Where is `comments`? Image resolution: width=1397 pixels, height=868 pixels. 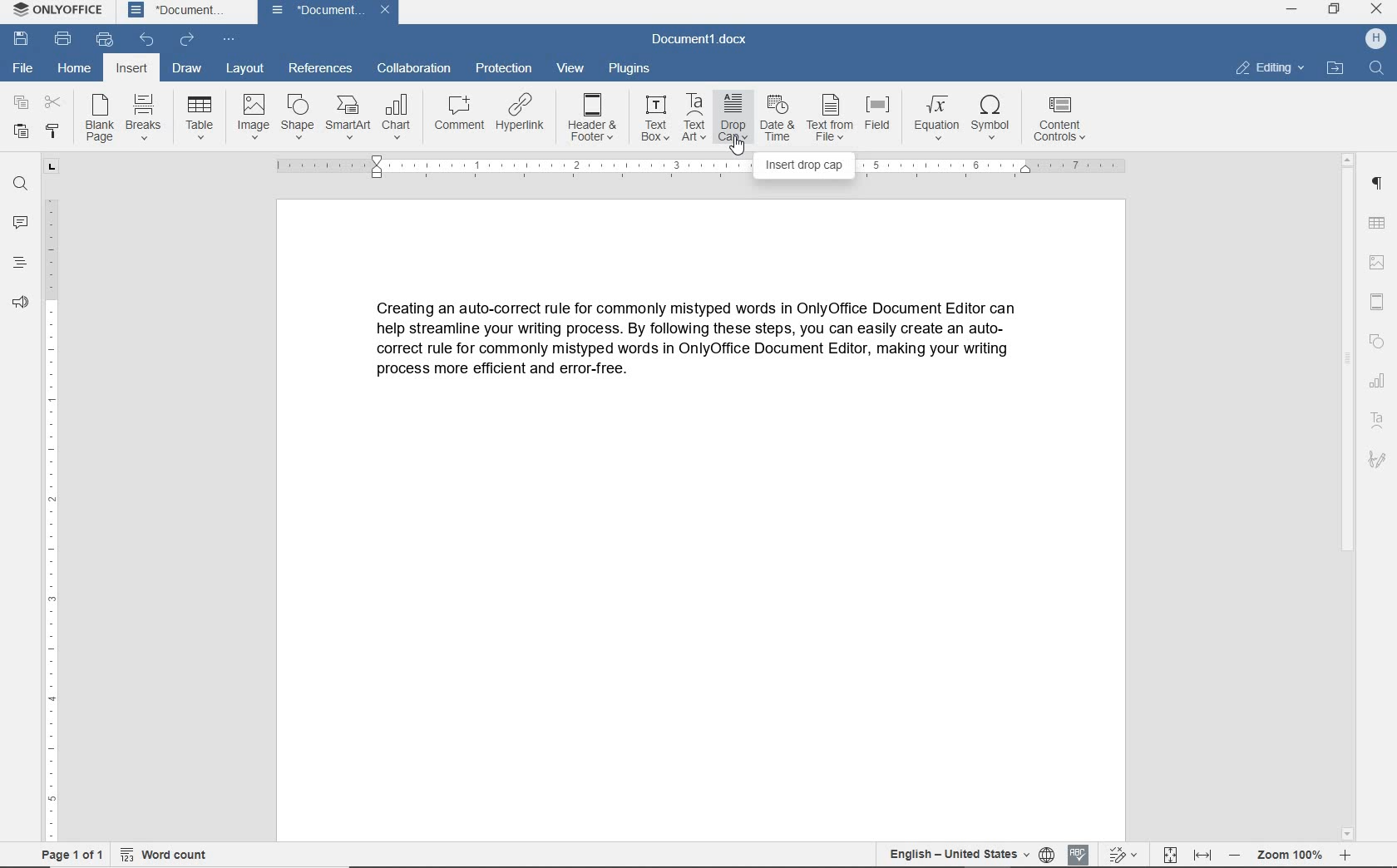 comments is located at coordinates (18, 223).